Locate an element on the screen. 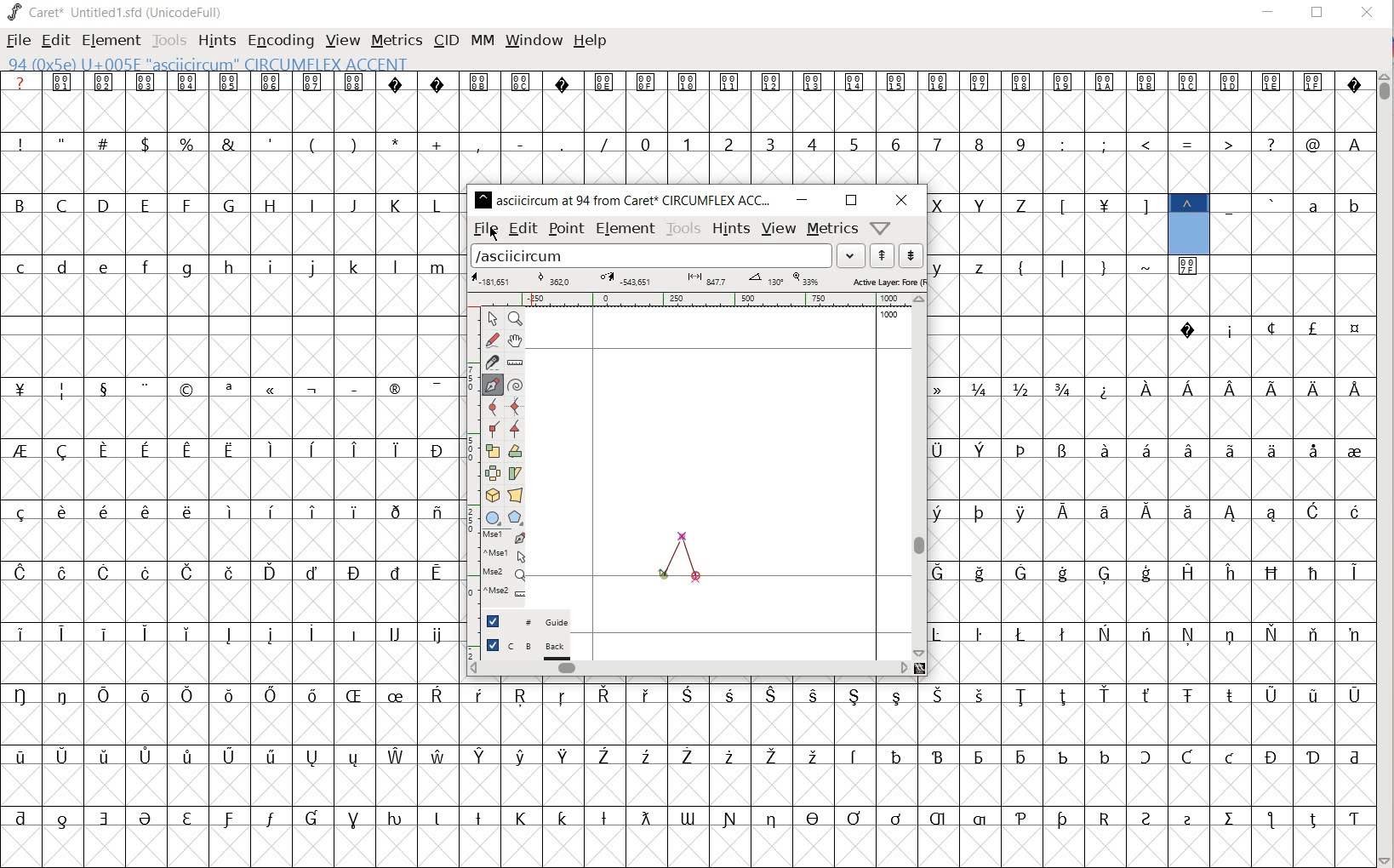  METRICS is located at coordinates (397, 41).